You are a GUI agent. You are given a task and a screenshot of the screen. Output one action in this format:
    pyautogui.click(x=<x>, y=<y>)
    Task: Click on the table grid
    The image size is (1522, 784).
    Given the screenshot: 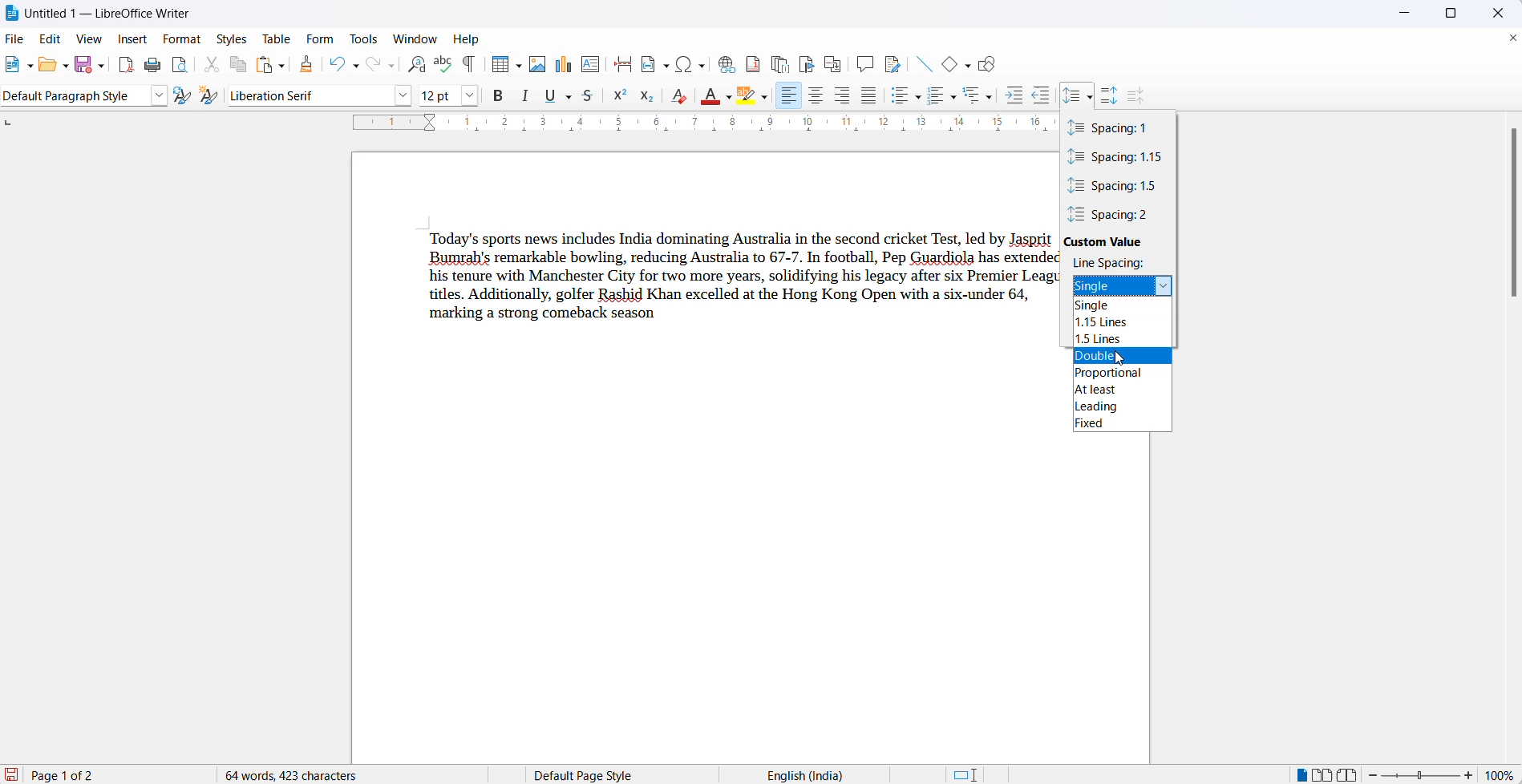 What is the action you would take?
    pyautogui.click(x=518, y=68)
    